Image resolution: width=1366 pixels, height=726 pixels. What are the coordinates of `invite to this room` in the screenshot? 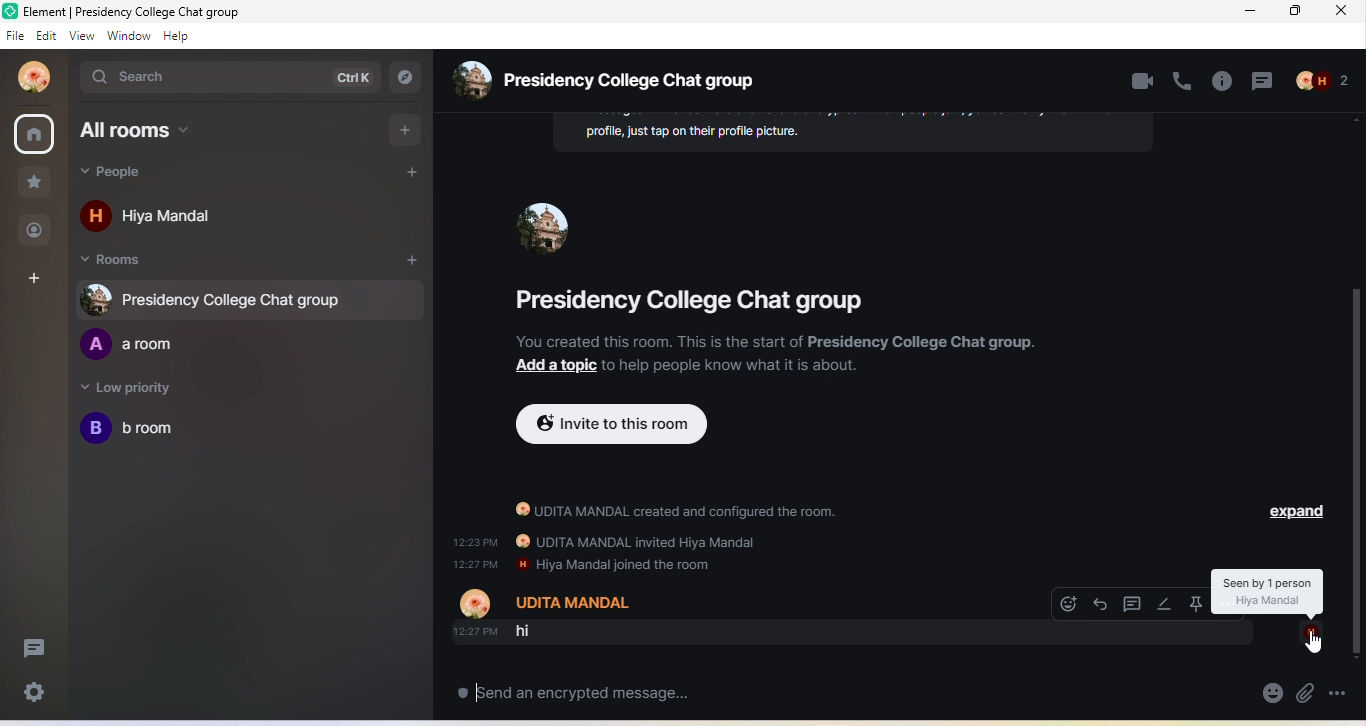 It's located at (611, 424).